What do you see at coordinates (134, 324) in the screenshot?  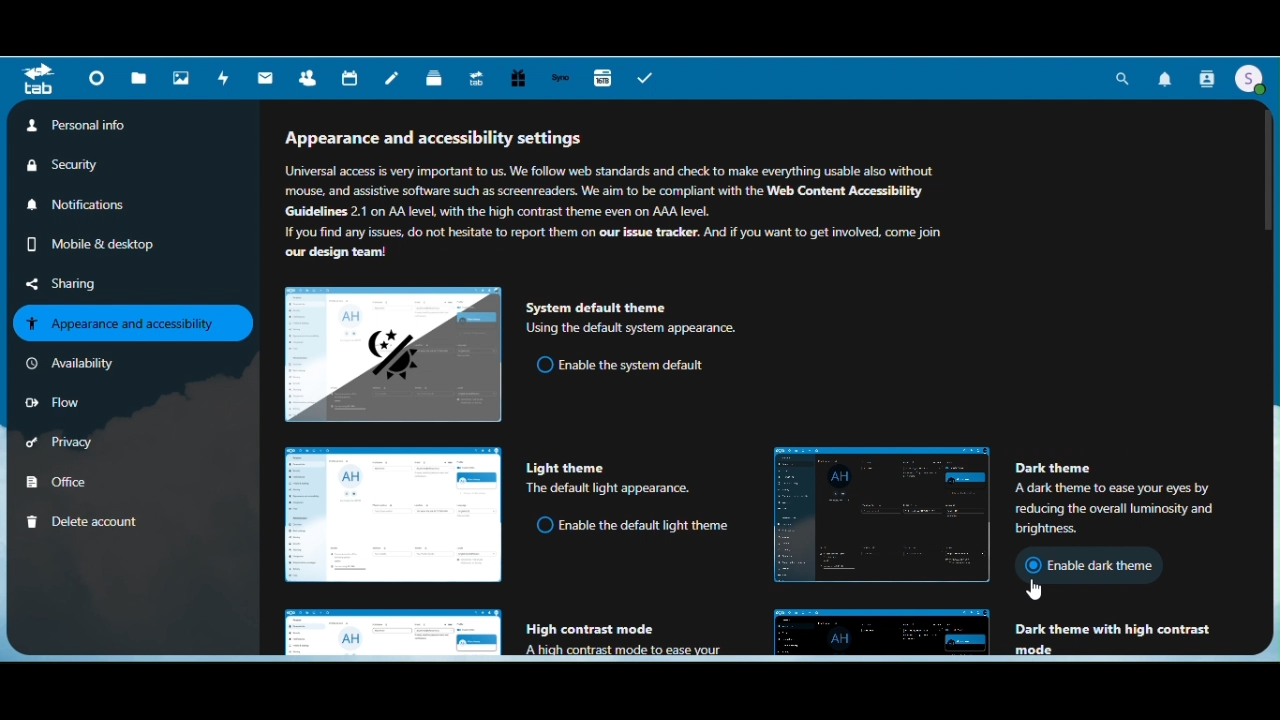 I see `Appearance and accessibility` at bounding box center [134, 324].